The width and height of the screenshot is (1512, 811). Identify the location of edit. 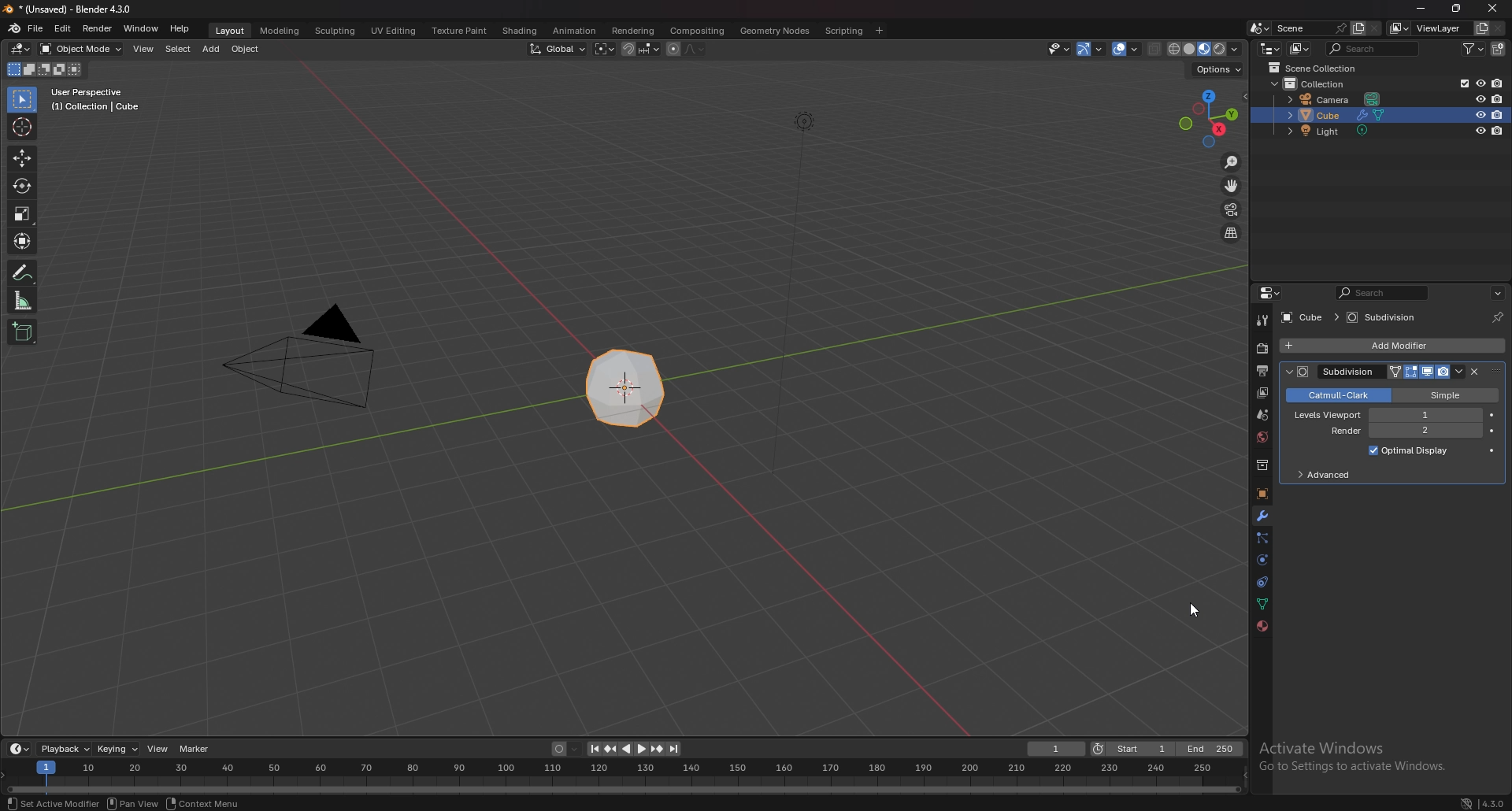
(63, 28).